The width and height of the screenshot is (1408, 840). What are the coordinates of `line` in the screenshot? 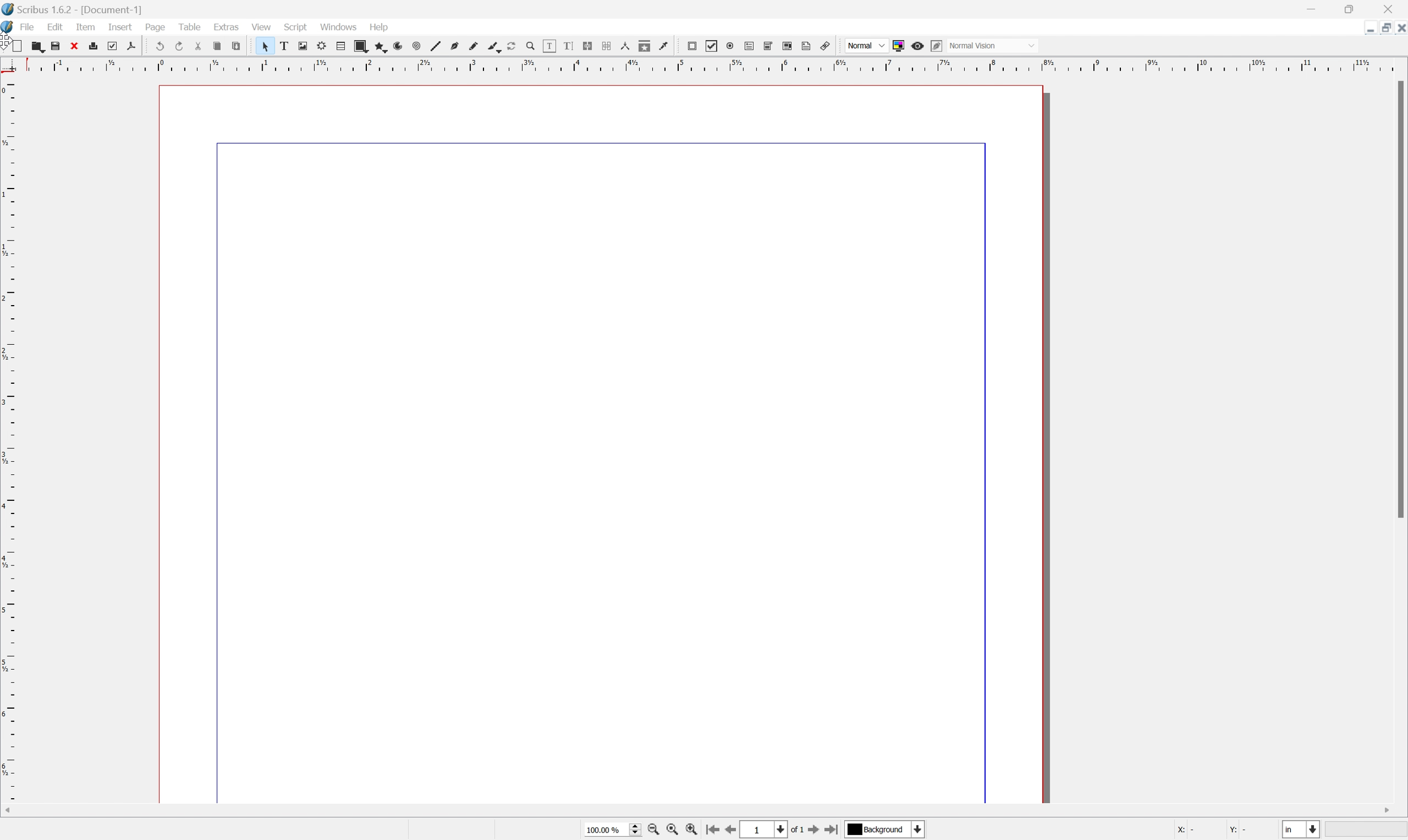 It's located at (434, 46).